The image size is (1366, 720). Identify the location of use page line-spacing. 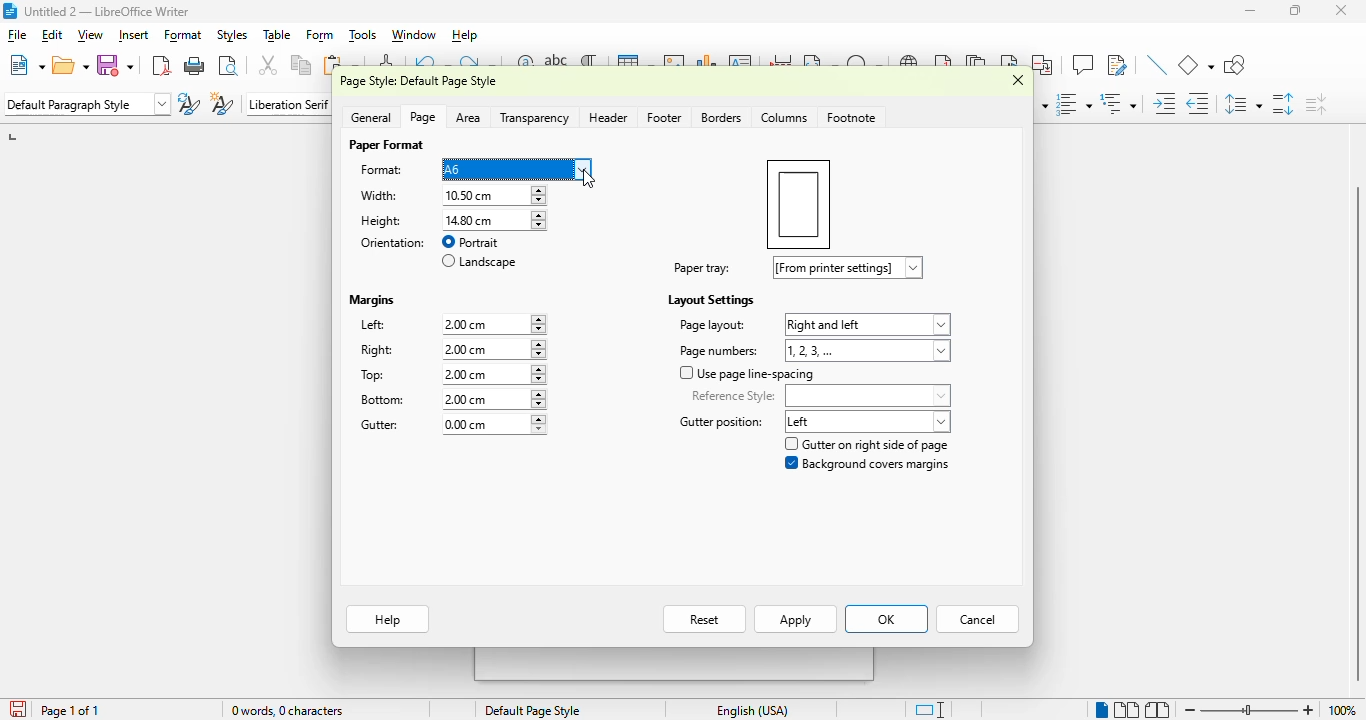
(747, 374).